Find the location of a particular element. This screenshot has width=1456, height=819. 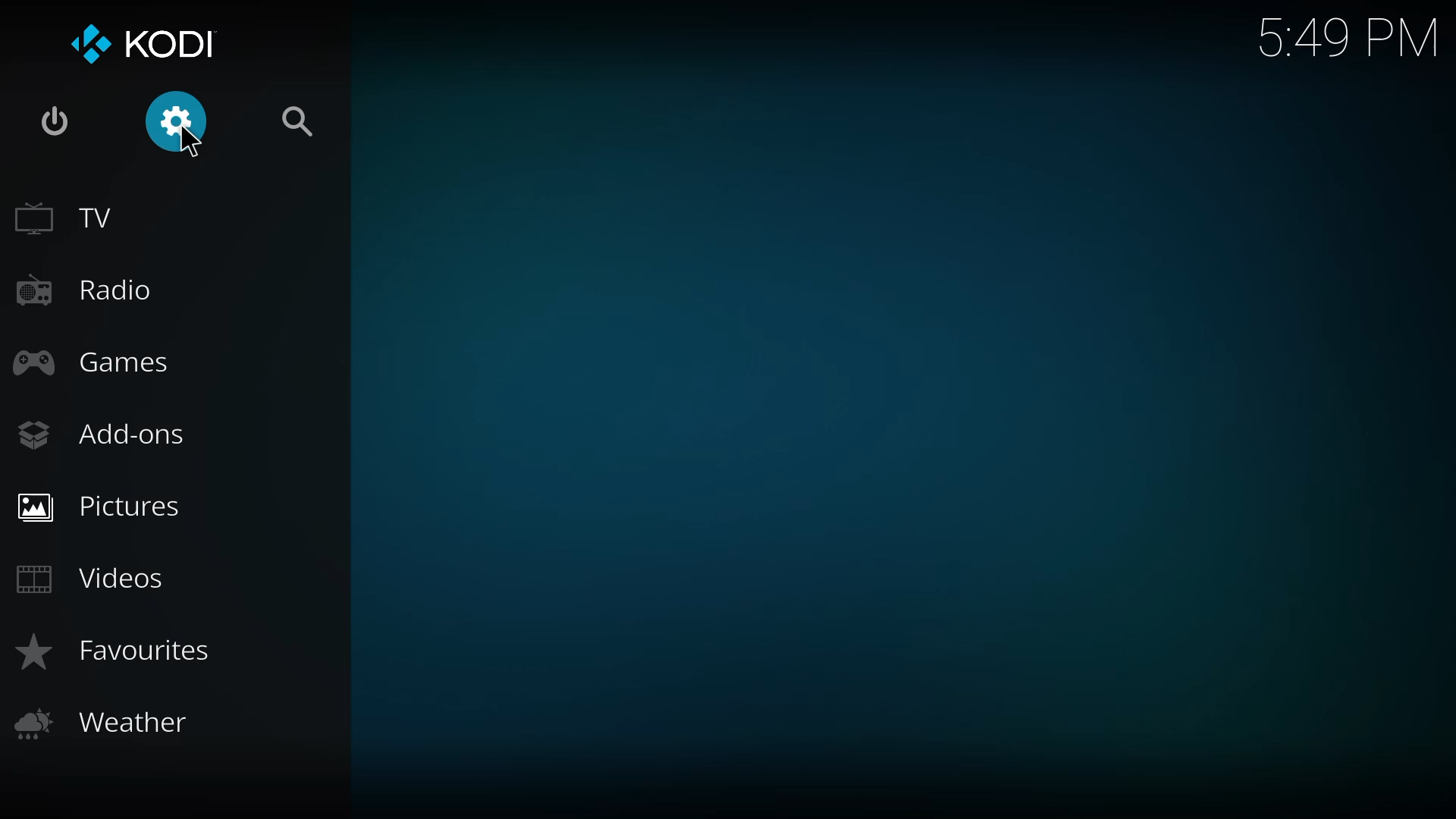

pictures is located at coordinates (109, 506).